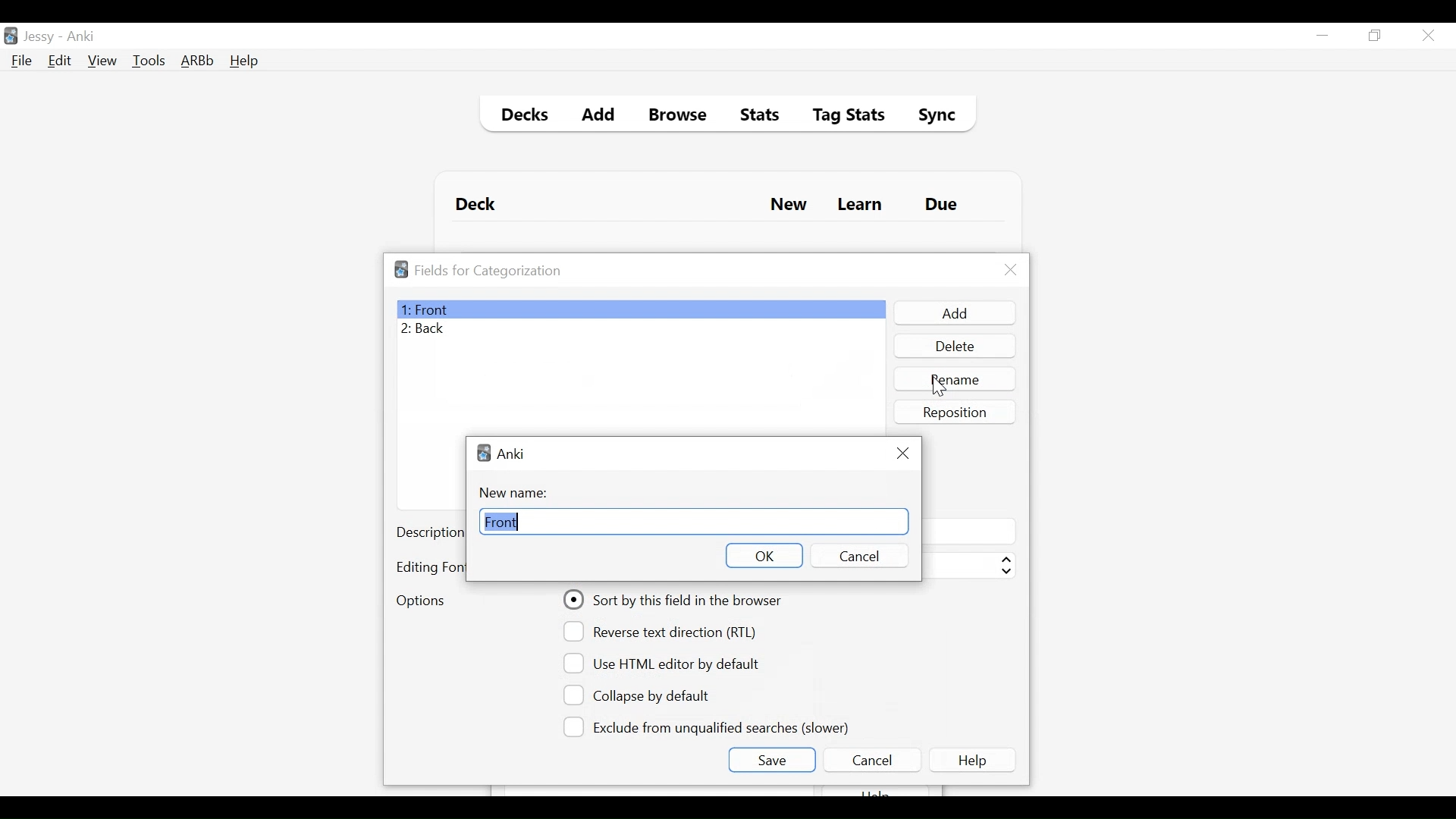 The image size is (1456, 819). I want to click on Rename, so click(956, 378).